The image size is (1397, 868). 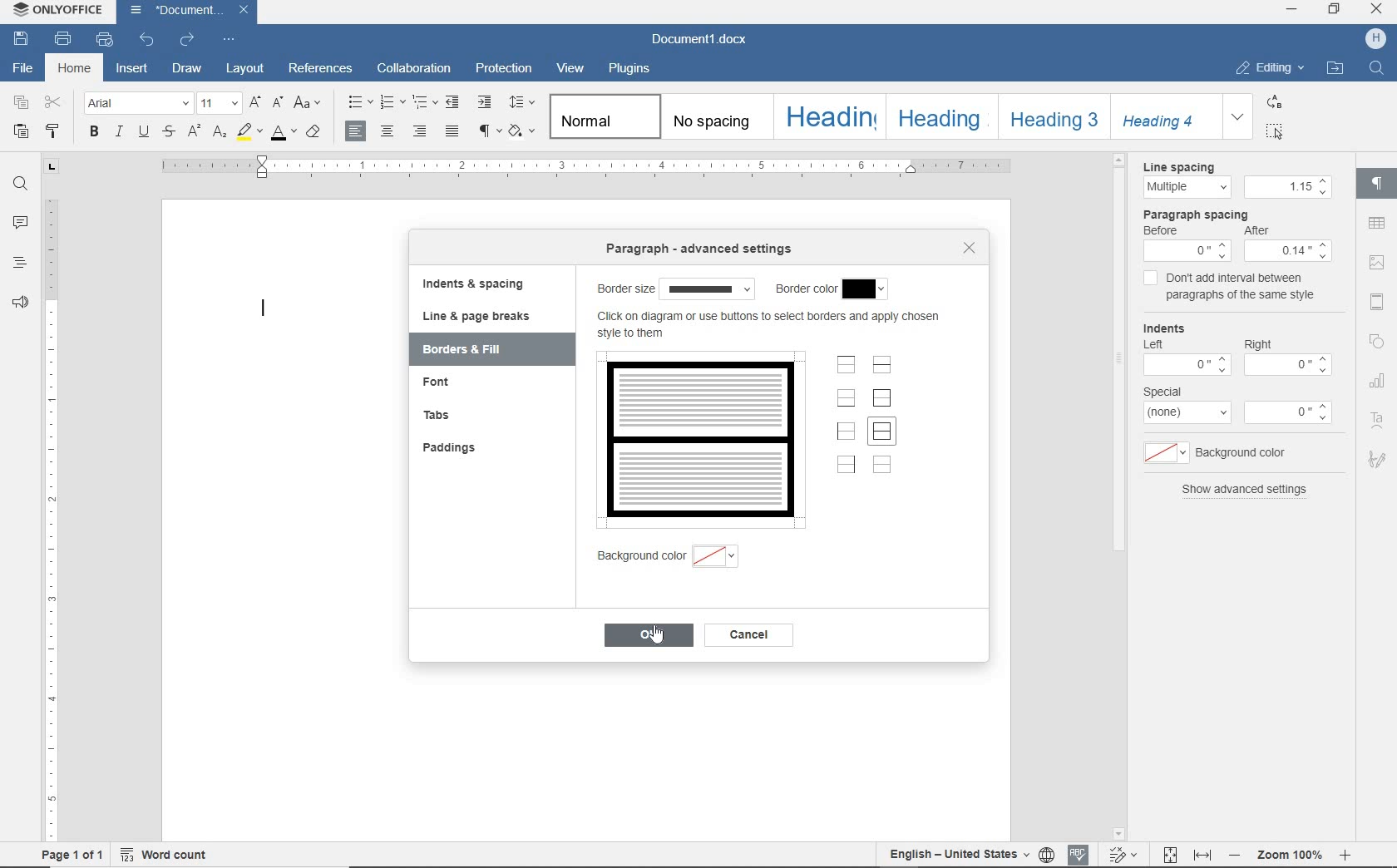 What do you see at coordinates (486, 102) in the screenshot?
I see `increase indent` at bounding box center [486, 102].